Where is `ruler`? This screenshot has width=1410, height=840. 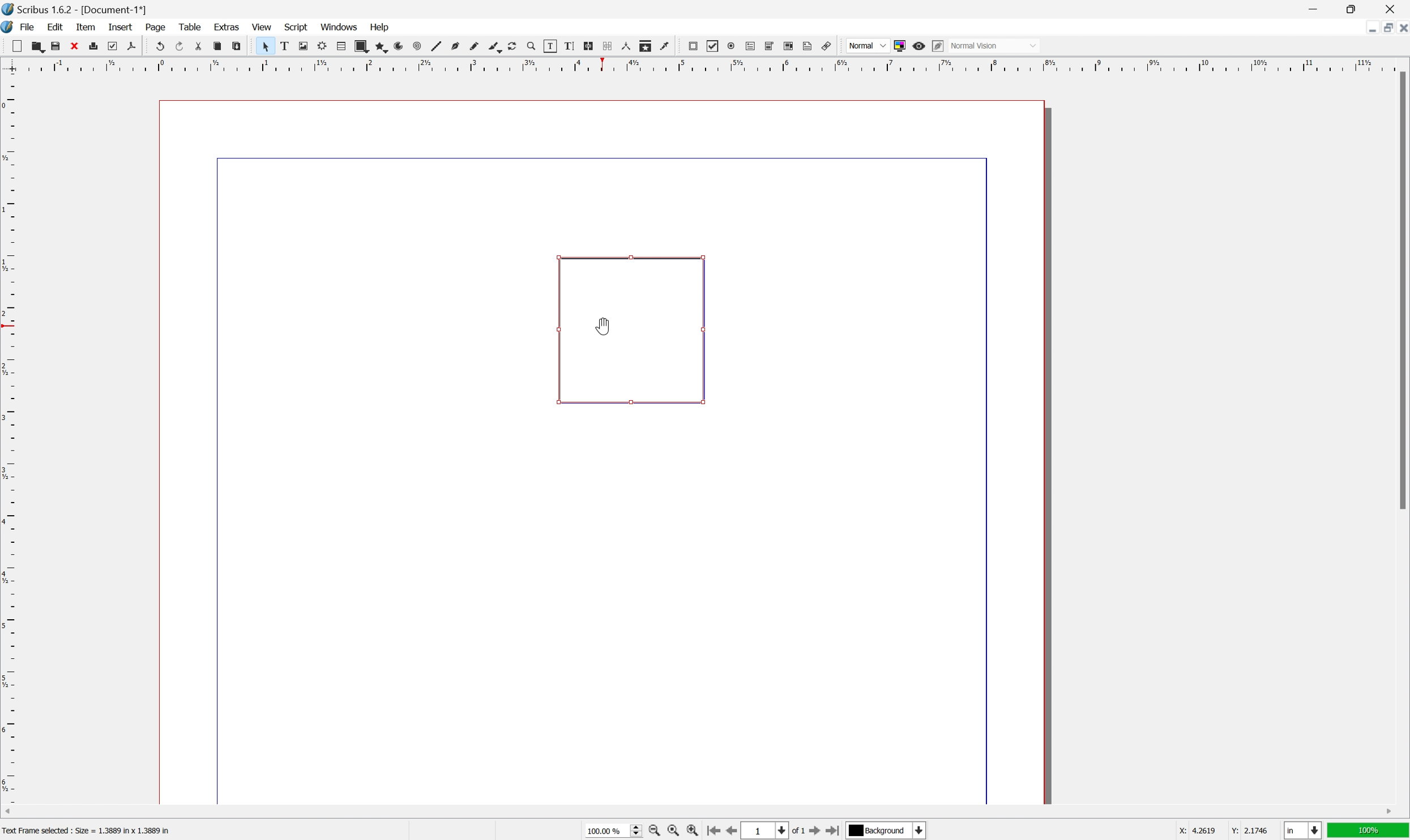 ruler is located at coordinates (9, 438).